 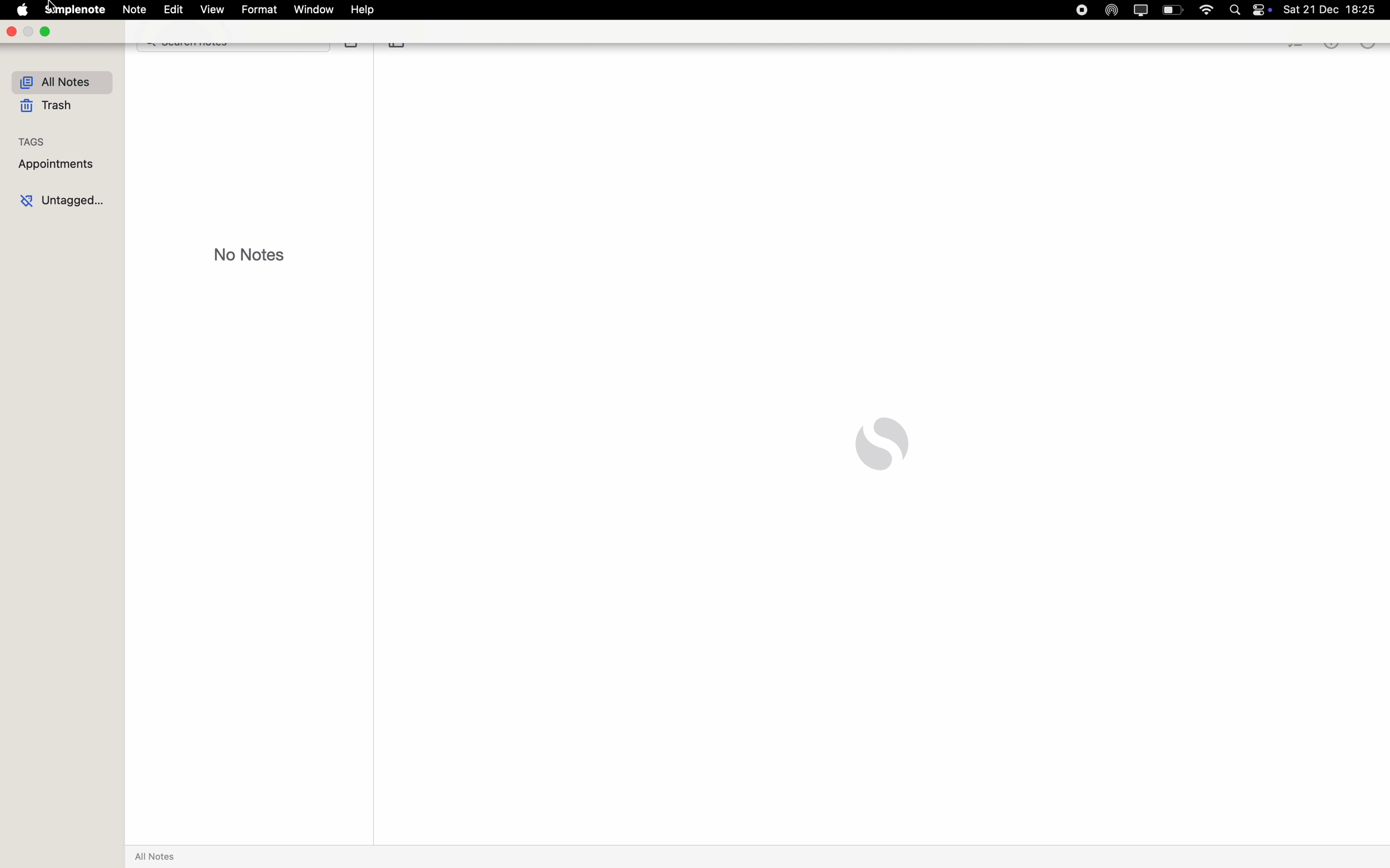 What do you see at coordinates (58, 163) in the screenshot?
I see `appointments` at bounding box center [58, 163].